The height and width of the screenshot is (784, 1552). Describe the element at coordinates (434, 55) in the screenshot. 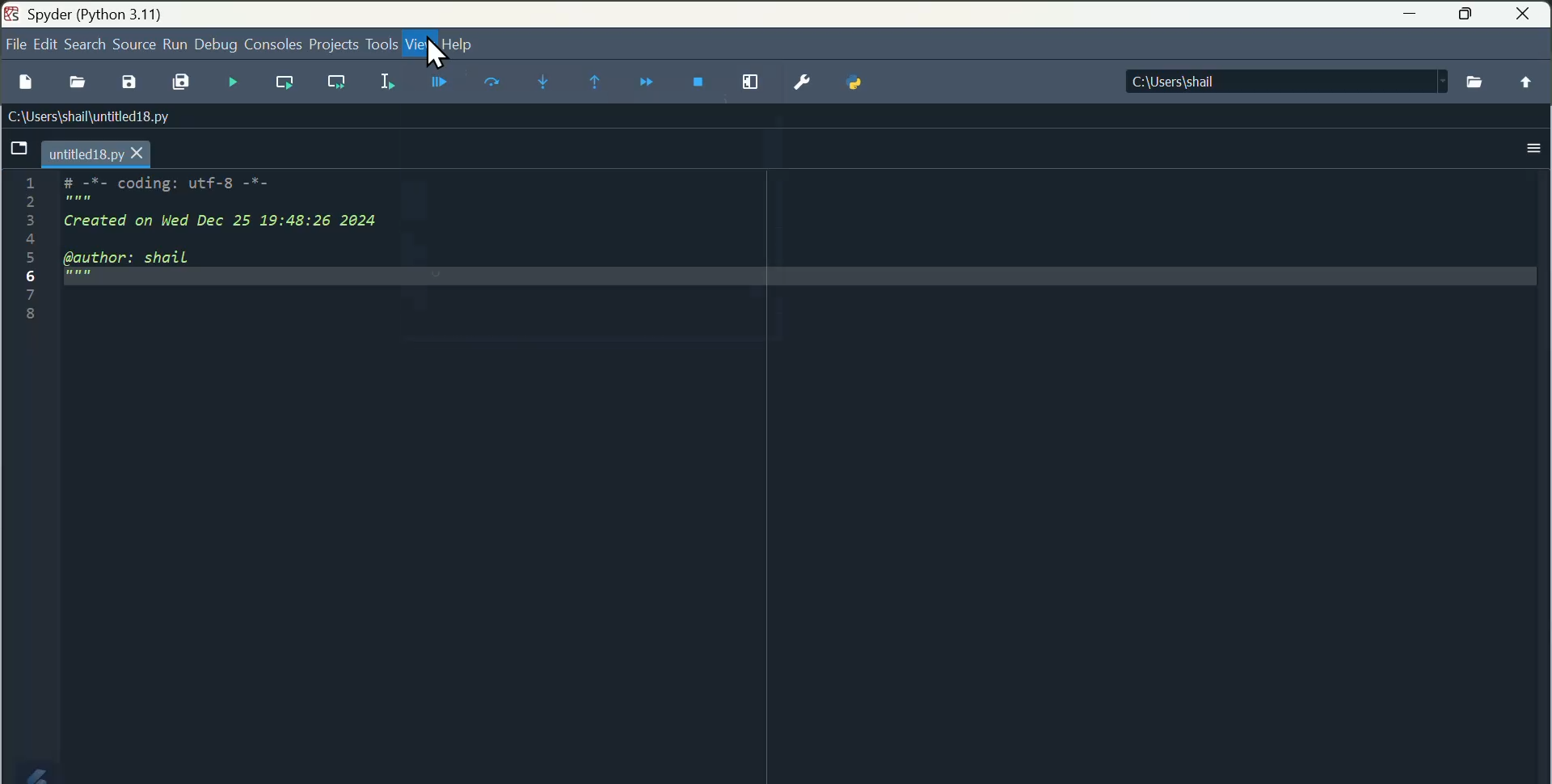

I see `cursor` at that location.